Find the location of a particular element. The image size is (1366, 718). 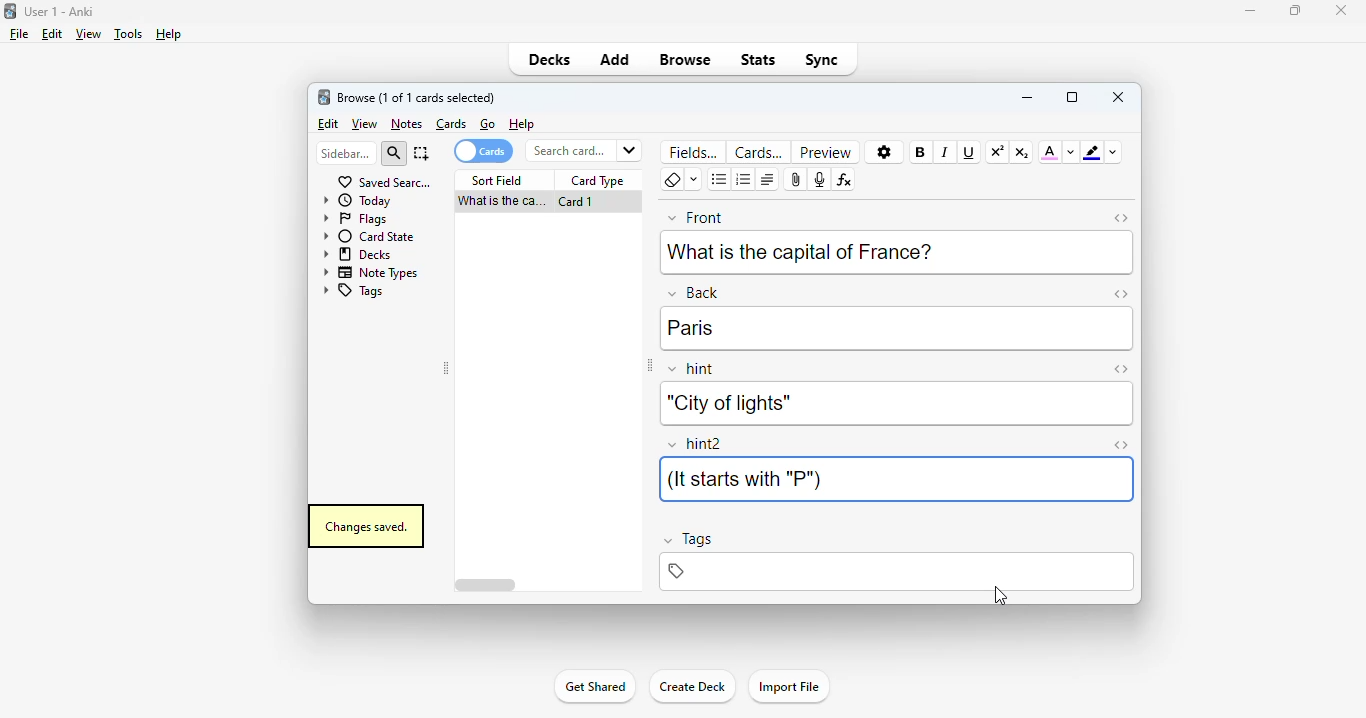

search bar is located at coordinates (582, 150).